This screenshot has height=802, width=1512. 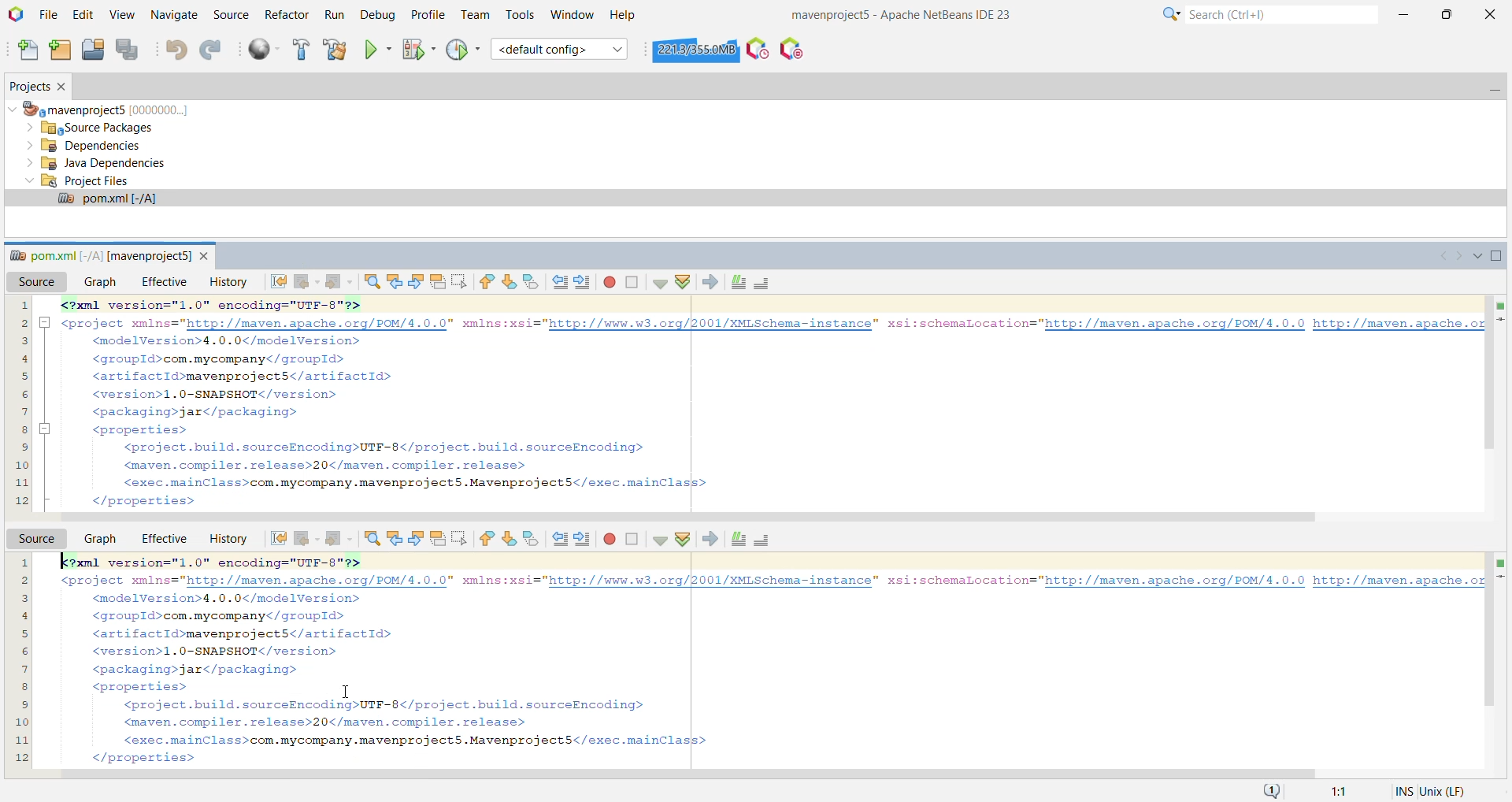 I want to click on Project Files, so click(x=77, y=180).